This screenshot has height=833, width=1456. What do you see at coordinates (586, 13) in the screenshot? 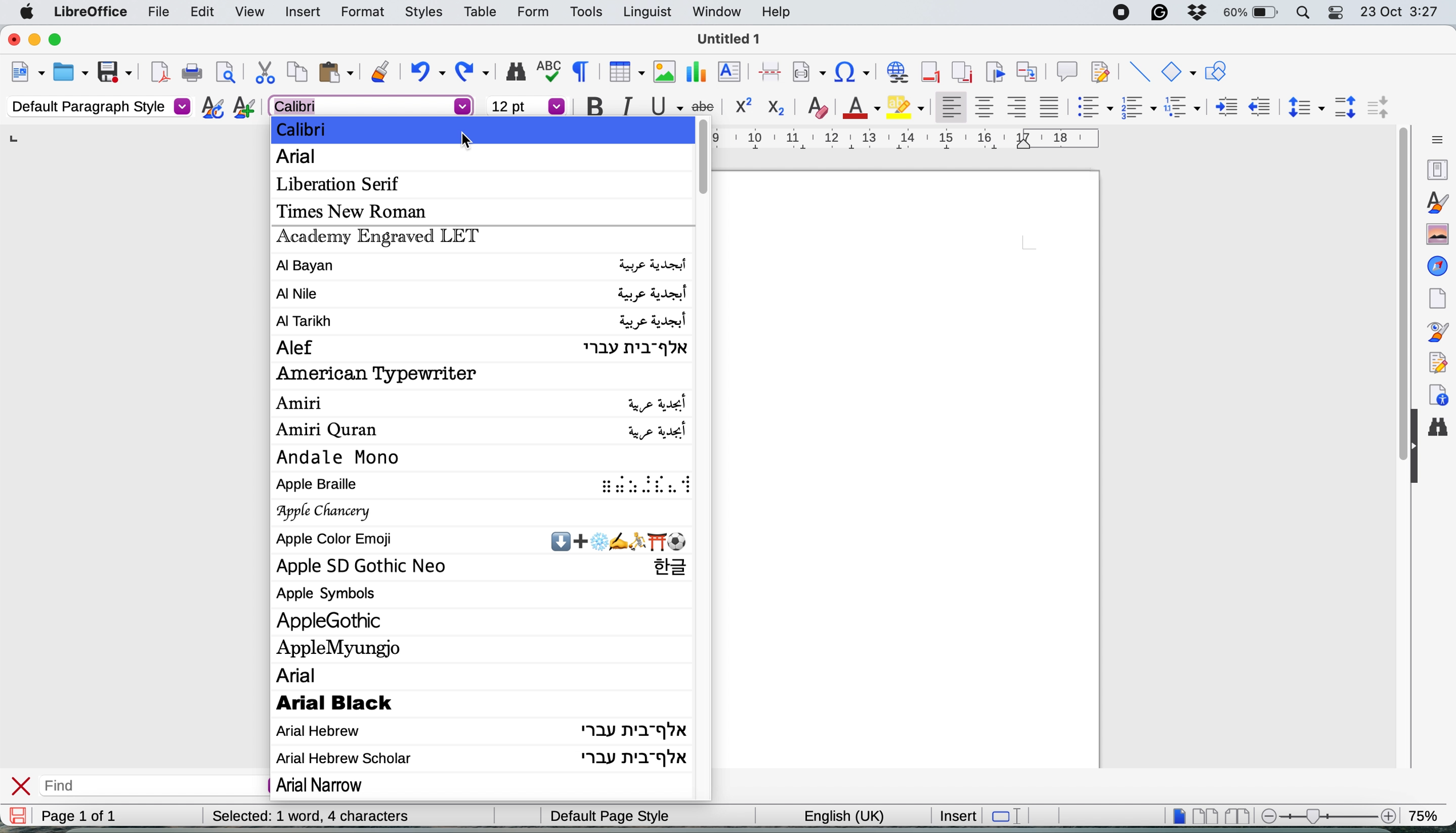
I see `tools` at bounding box center [586, 13].